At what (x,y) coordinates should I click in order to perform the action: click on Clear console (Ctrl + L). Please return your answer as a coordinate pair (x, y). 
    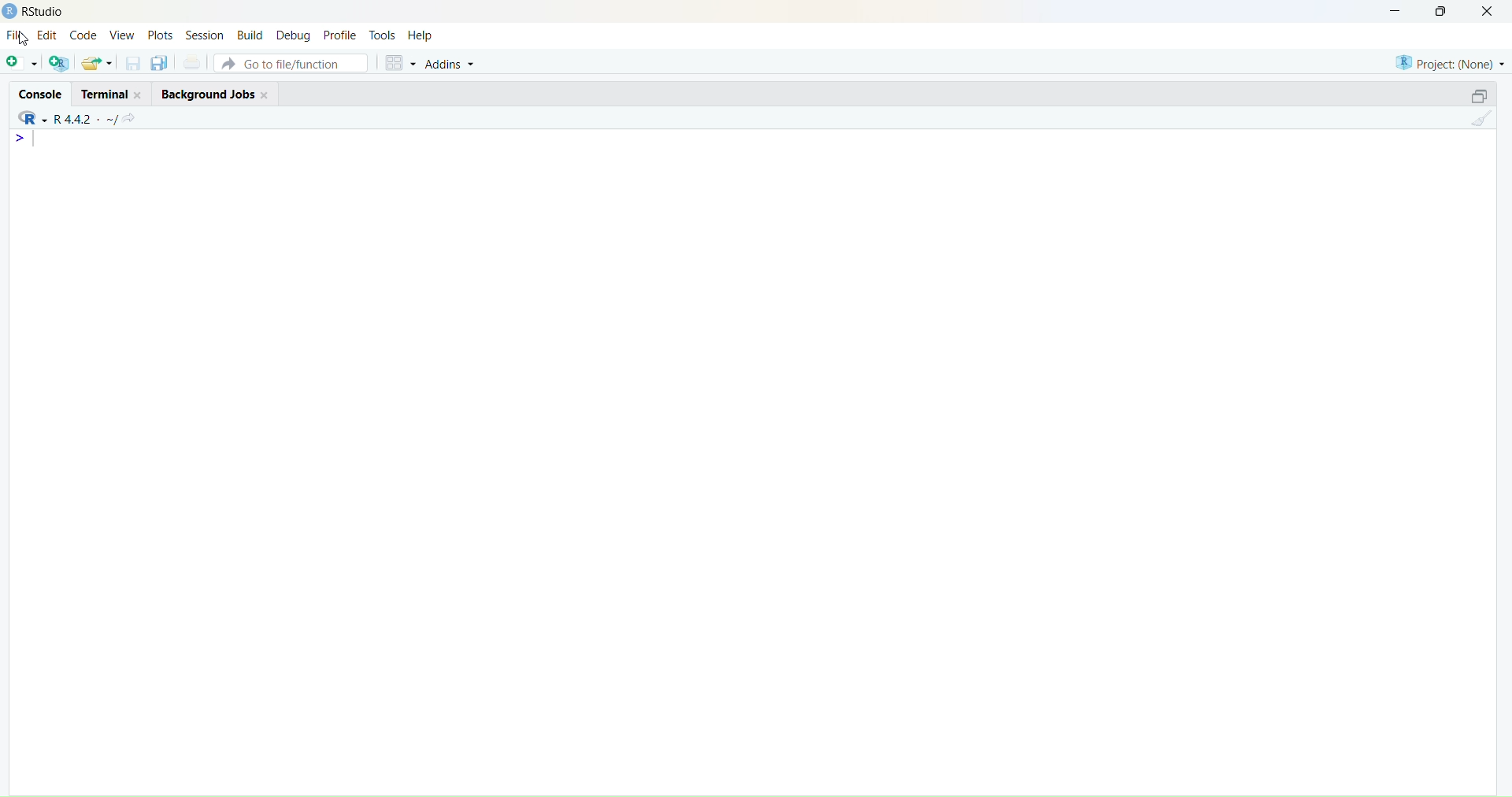
    Looking at the image, I should click on (1482, 122).